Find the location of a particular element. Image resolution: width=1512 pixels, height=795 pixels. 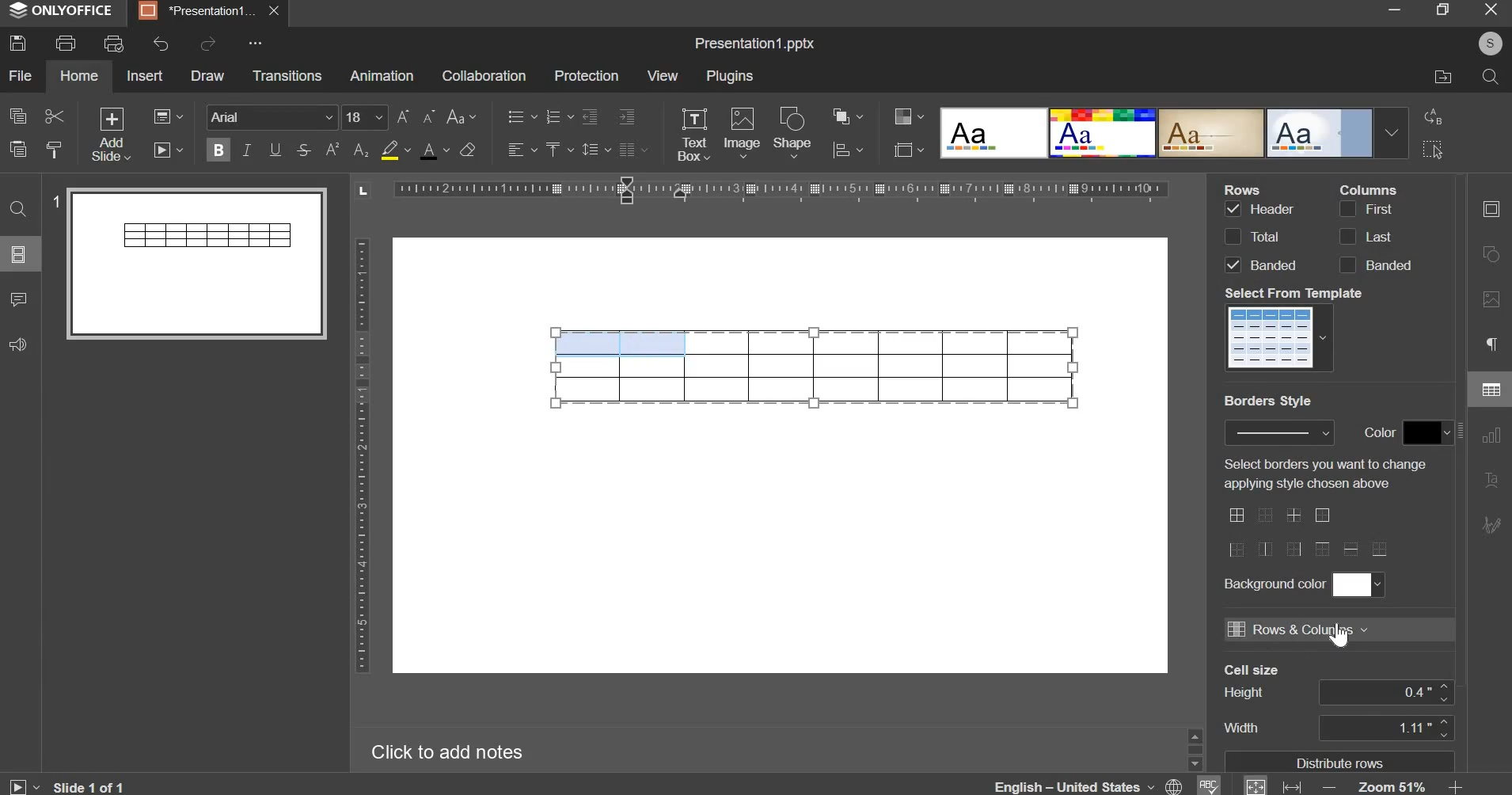

copy is located at coordinates (18, 115).